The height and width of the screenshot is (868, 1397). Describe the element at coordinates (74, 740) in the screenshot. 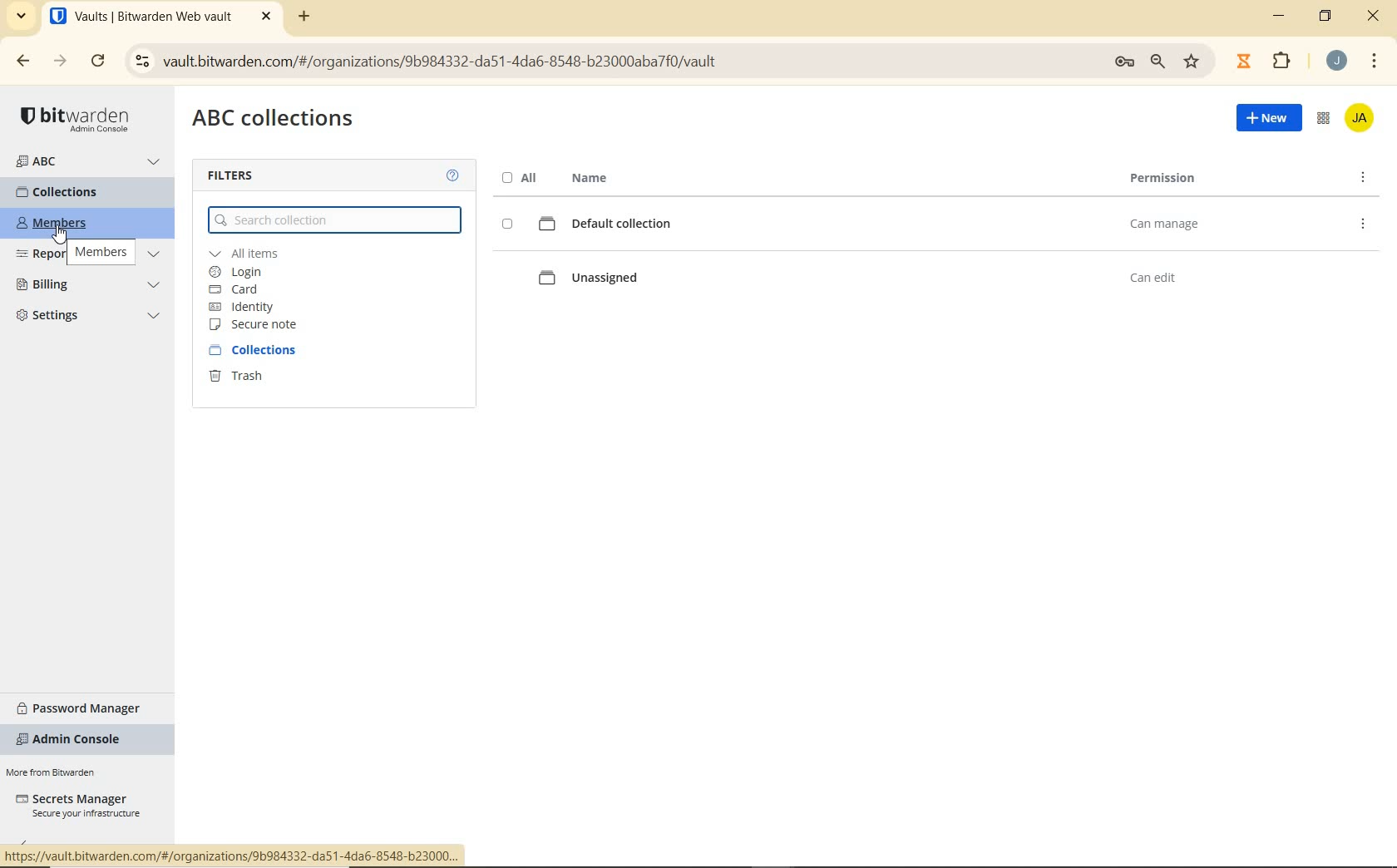

I see `ADMIN CONSOLE` at that location.